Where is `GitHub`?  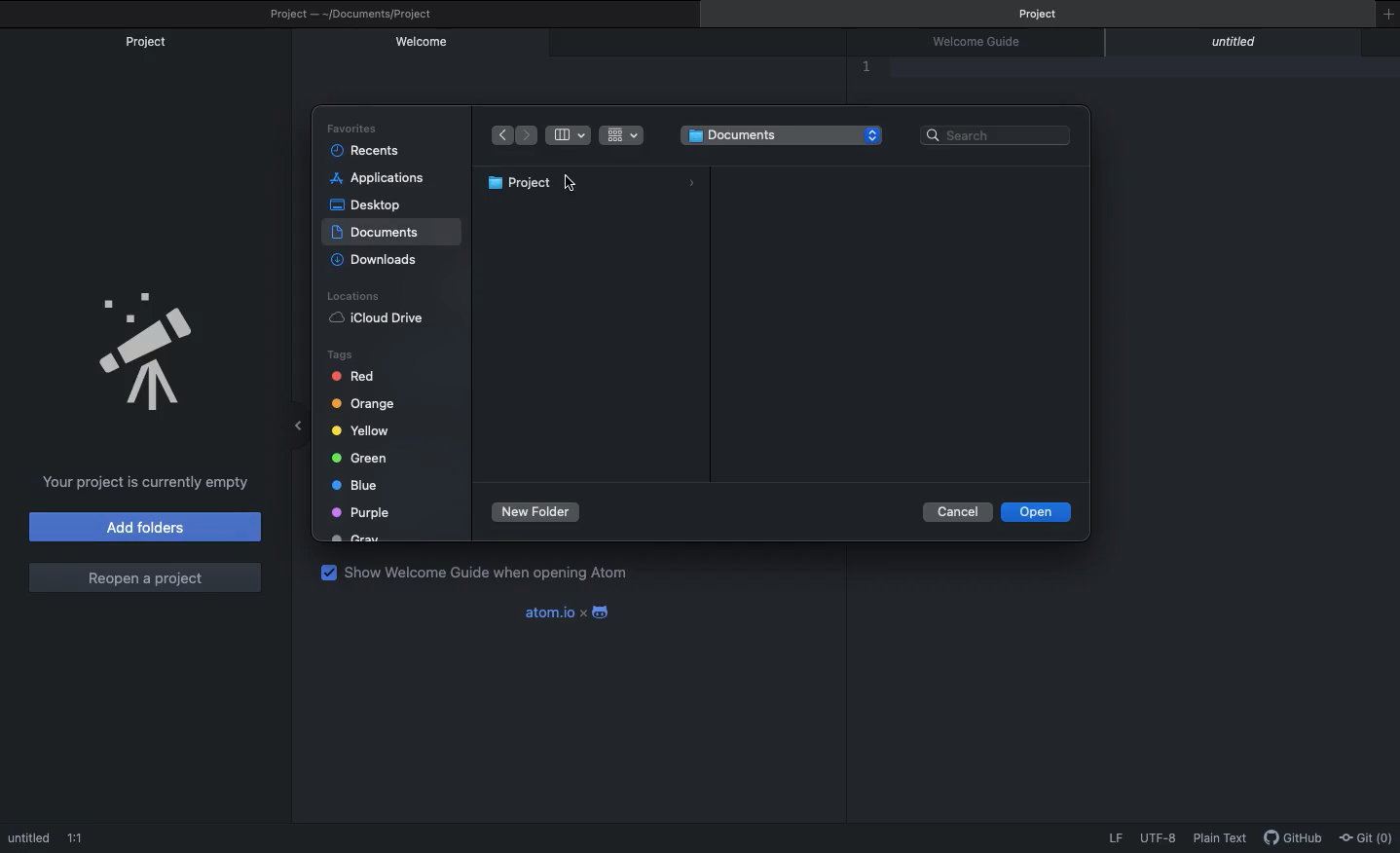 GitHub is located at coordinates (1294, 840).